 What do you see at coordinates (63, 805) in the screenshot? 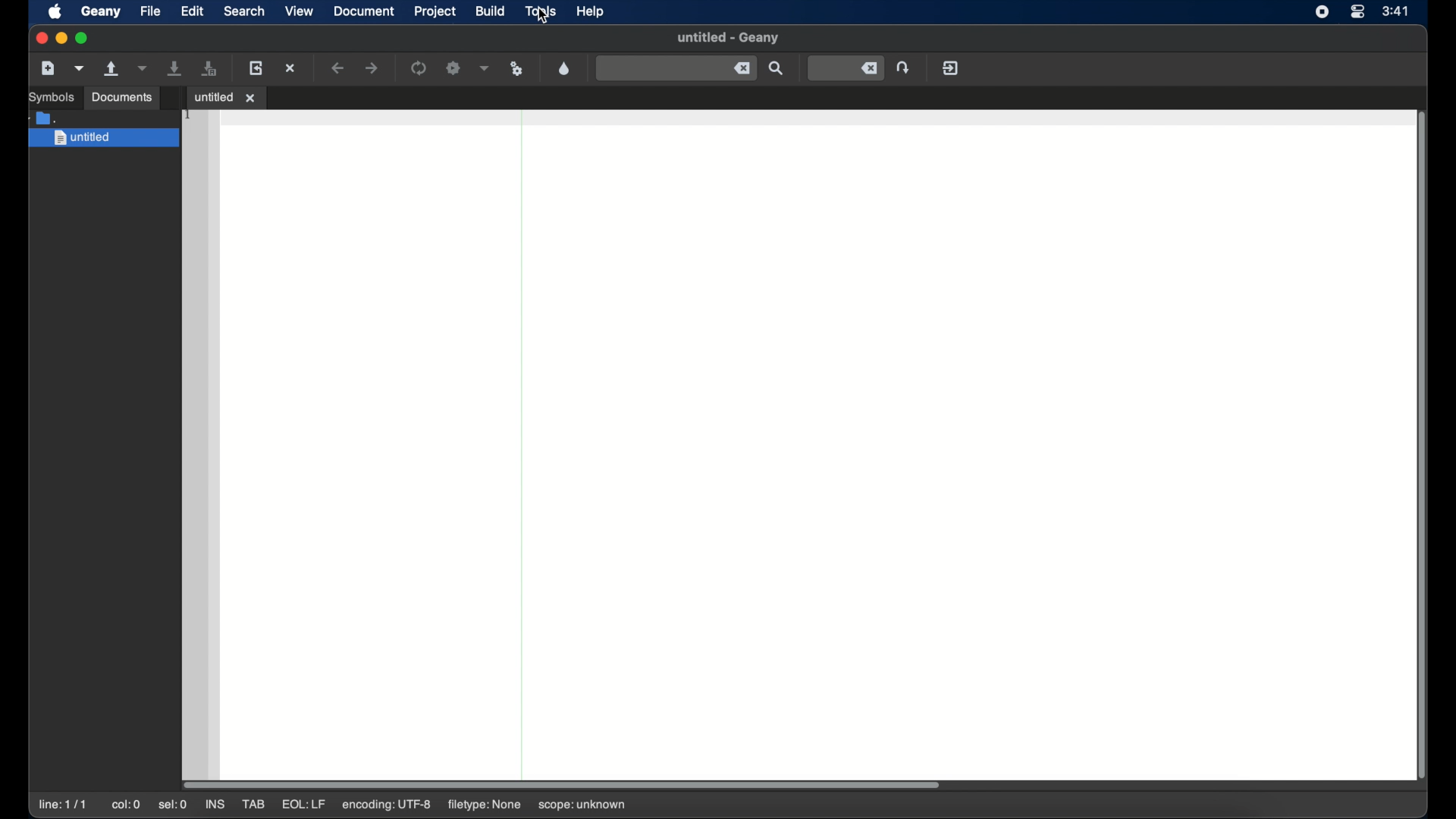
I see `line: 1/1` at bounding box center [63, 805].